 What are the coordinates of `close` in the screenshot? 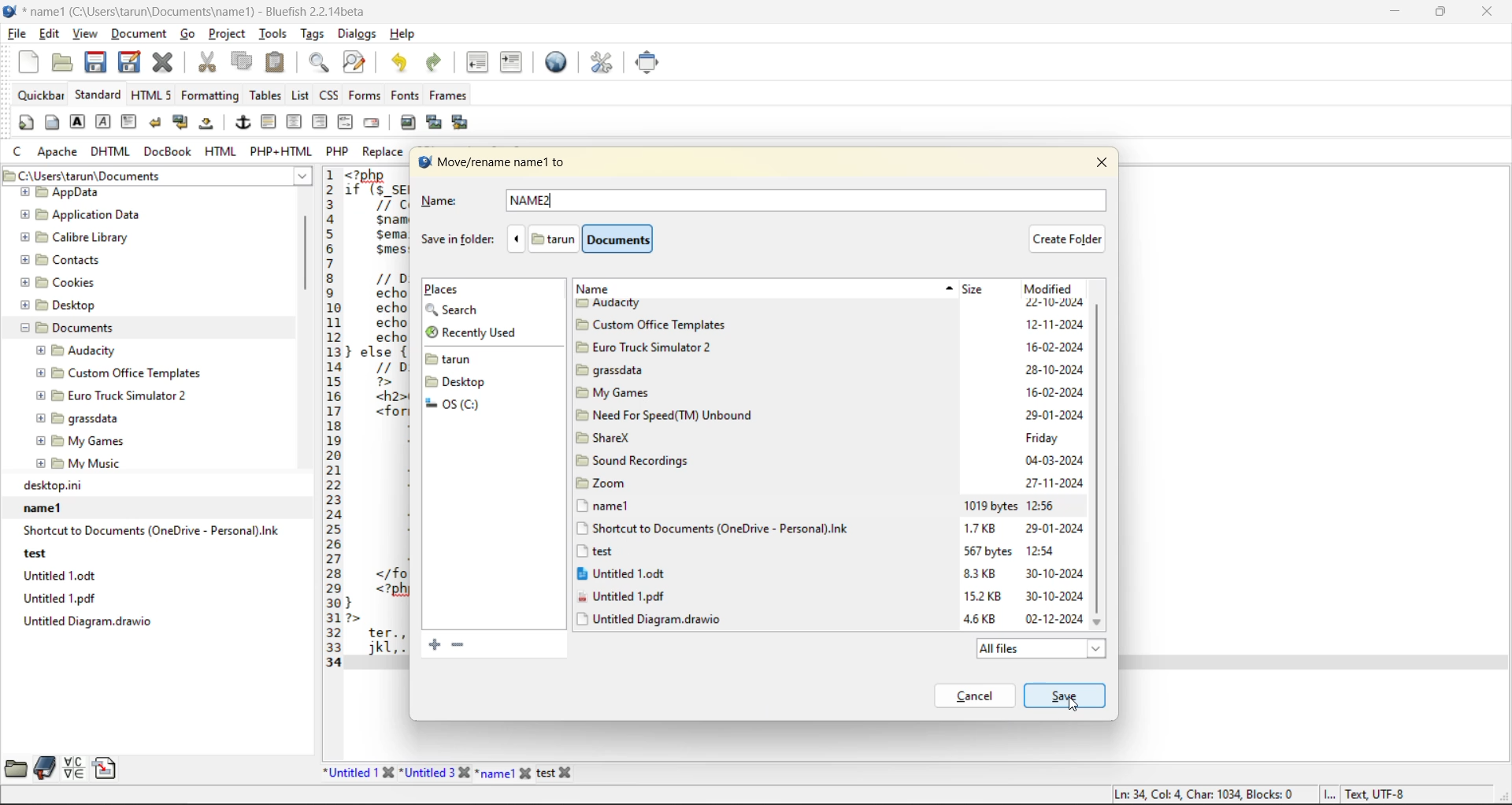 It's located at (1102, 161).